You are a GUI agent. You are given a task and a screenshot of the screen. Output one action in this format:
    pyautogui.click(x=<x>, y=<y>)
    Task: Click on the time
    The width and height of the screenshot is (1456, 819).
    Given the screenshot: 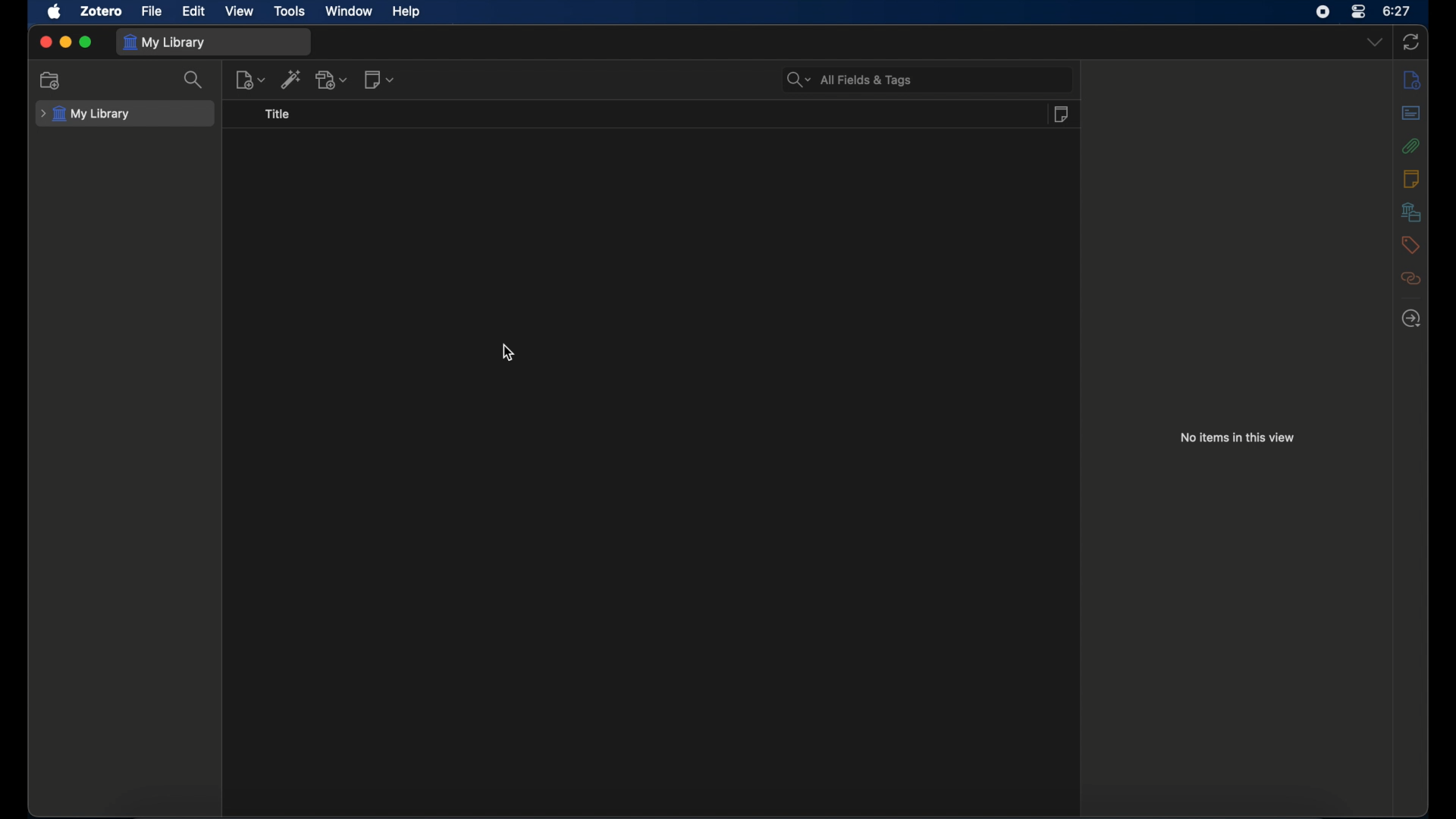 What is the action you would take?
    pyautogui.click(x=1396, y=11)
    